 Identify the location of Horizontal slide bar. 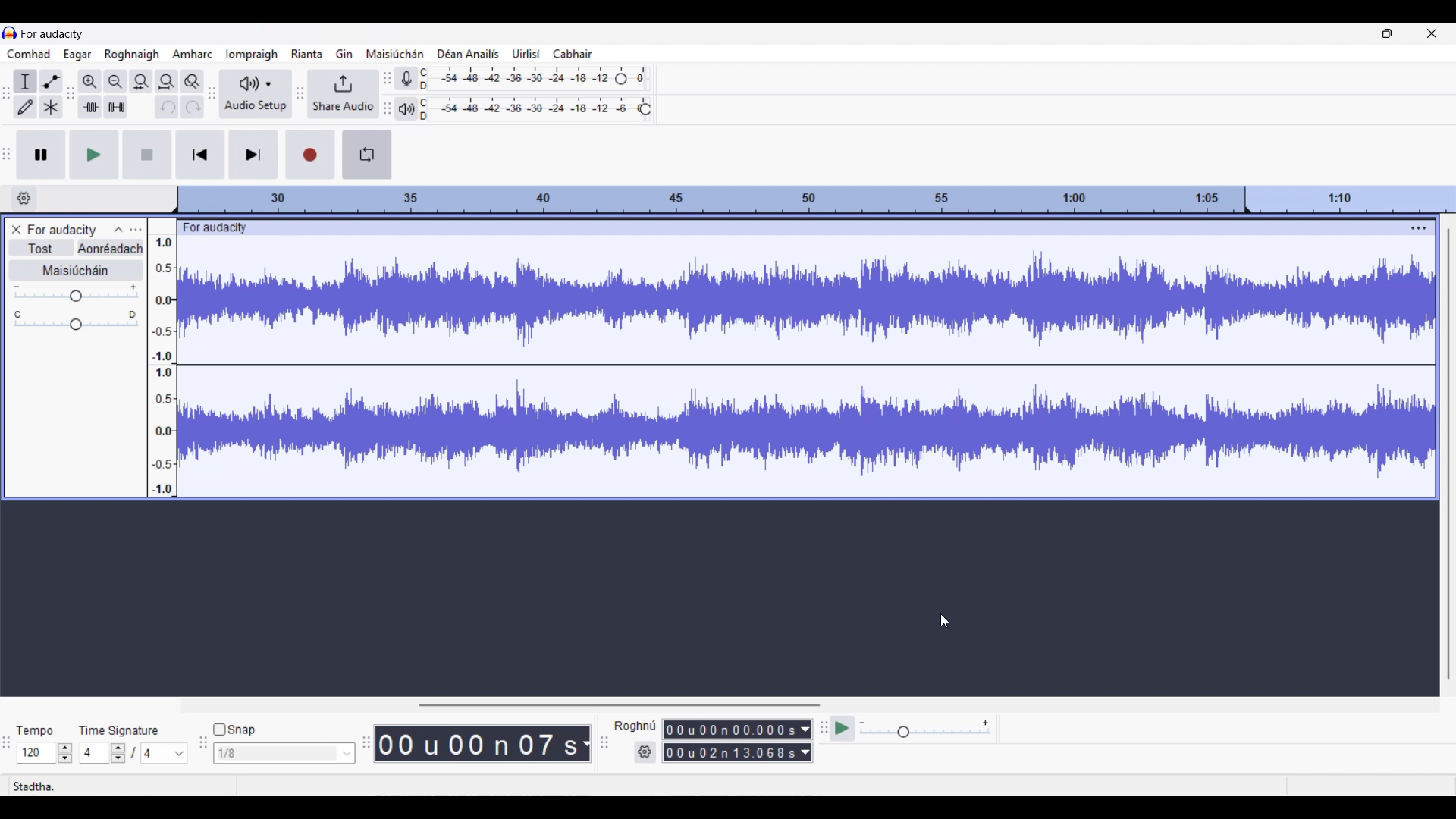
(619, 701).